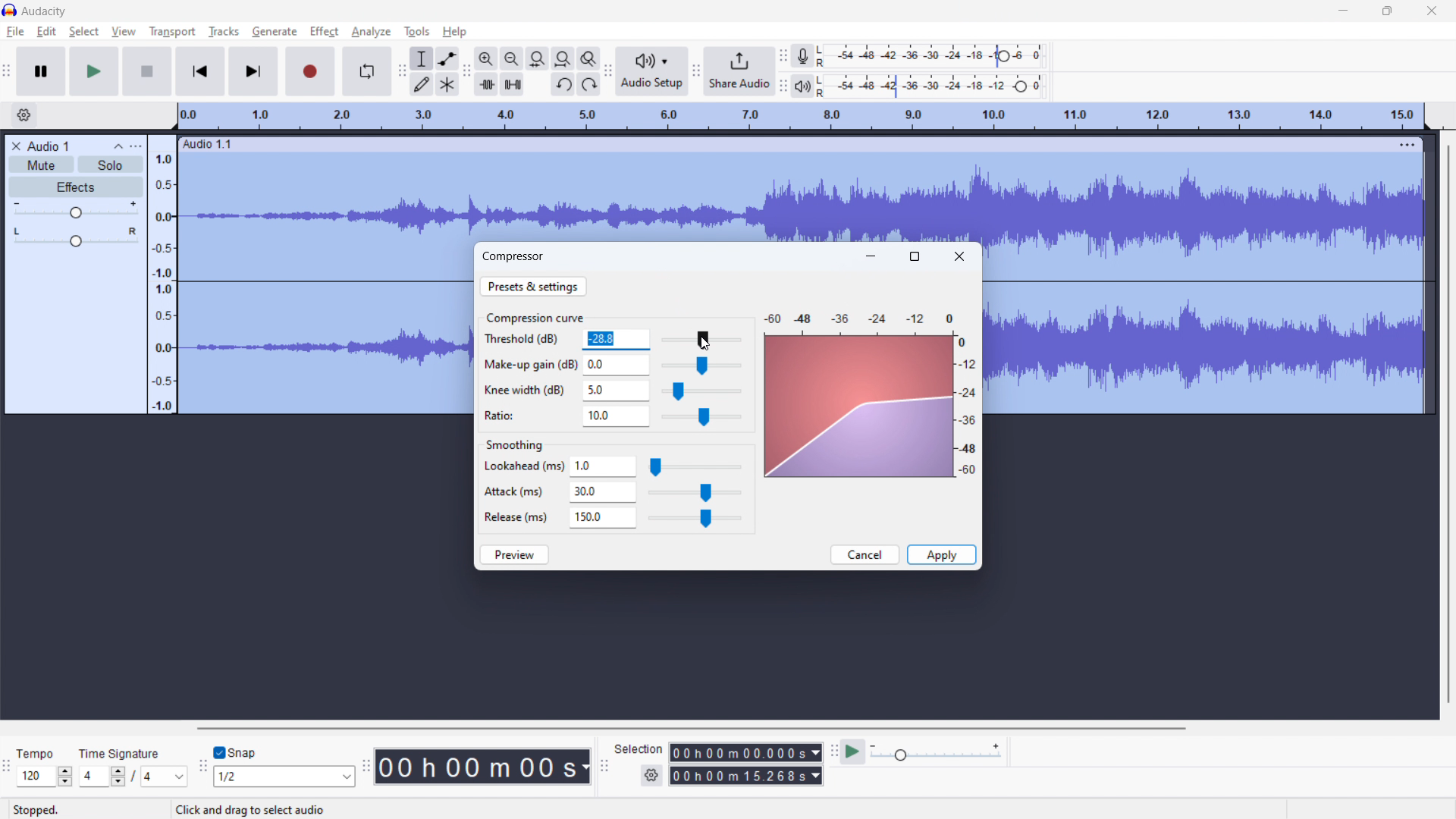 The height and width of the screenshot is (819, 1456). Describe the element at coordinates (121, 750) in the screenshot. I see `Time Signature` at that location.